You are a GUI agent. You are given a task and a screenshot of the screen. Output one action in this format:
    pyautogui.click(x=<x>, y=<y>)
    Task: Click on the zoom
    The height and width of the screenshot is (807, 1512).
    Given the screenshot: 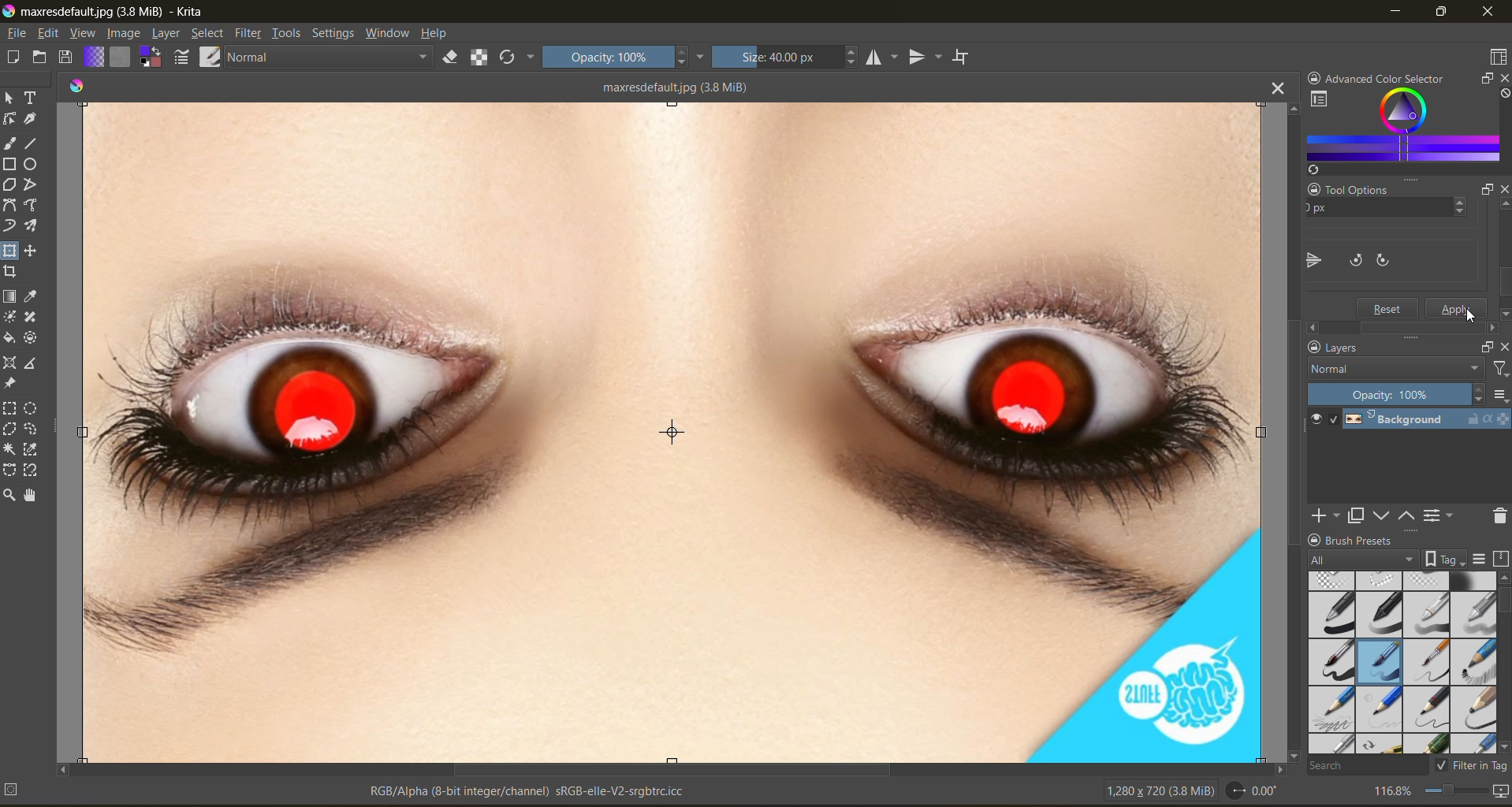 What is the action you would take?
    pyautogui.click(x=1458, y=794)
    